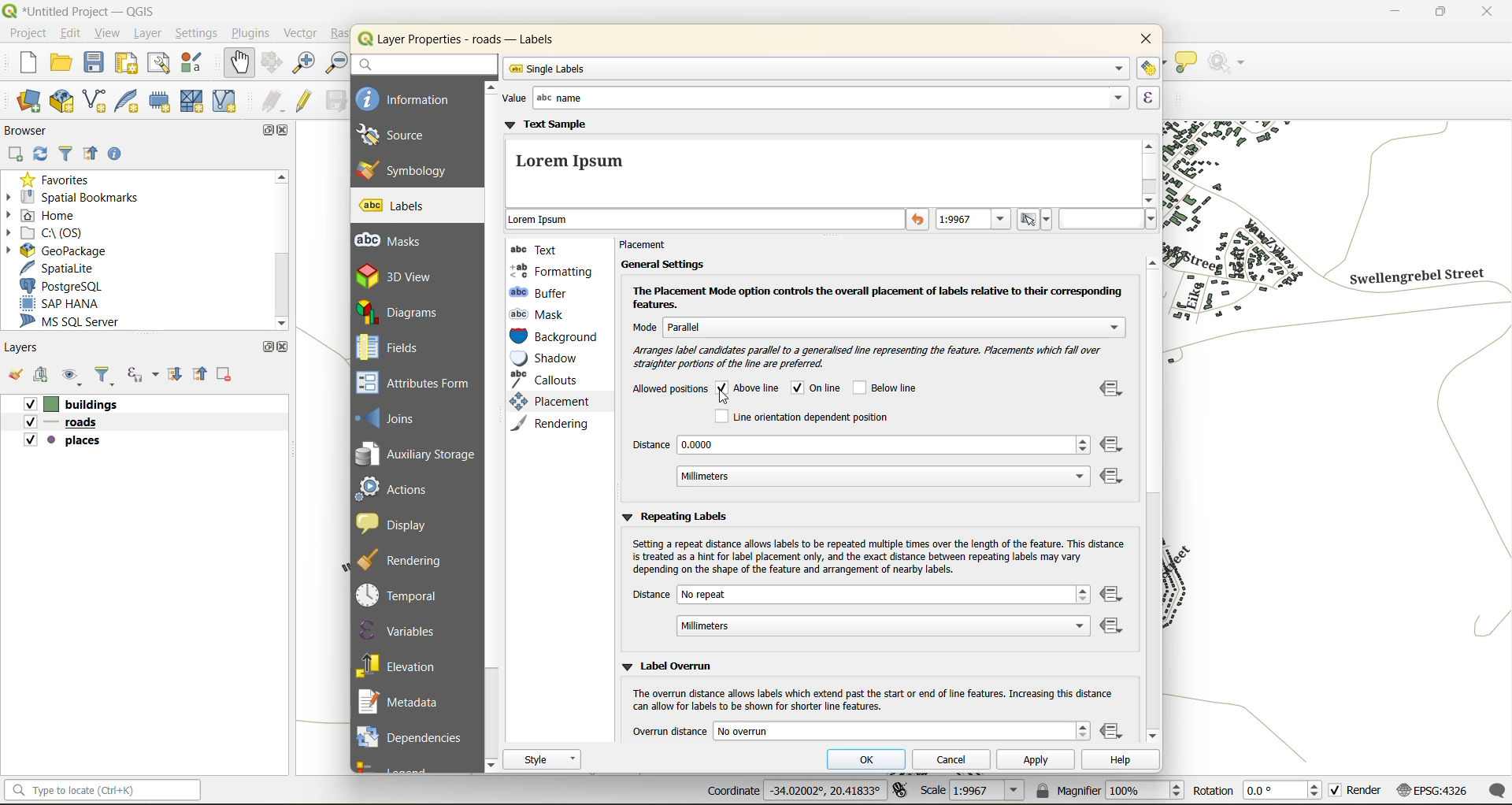 The image size is (1512, 805). What do you see at coordinates (61, 304) in the screenshot?
I see `sap hana` at bounding box center [61, 304].